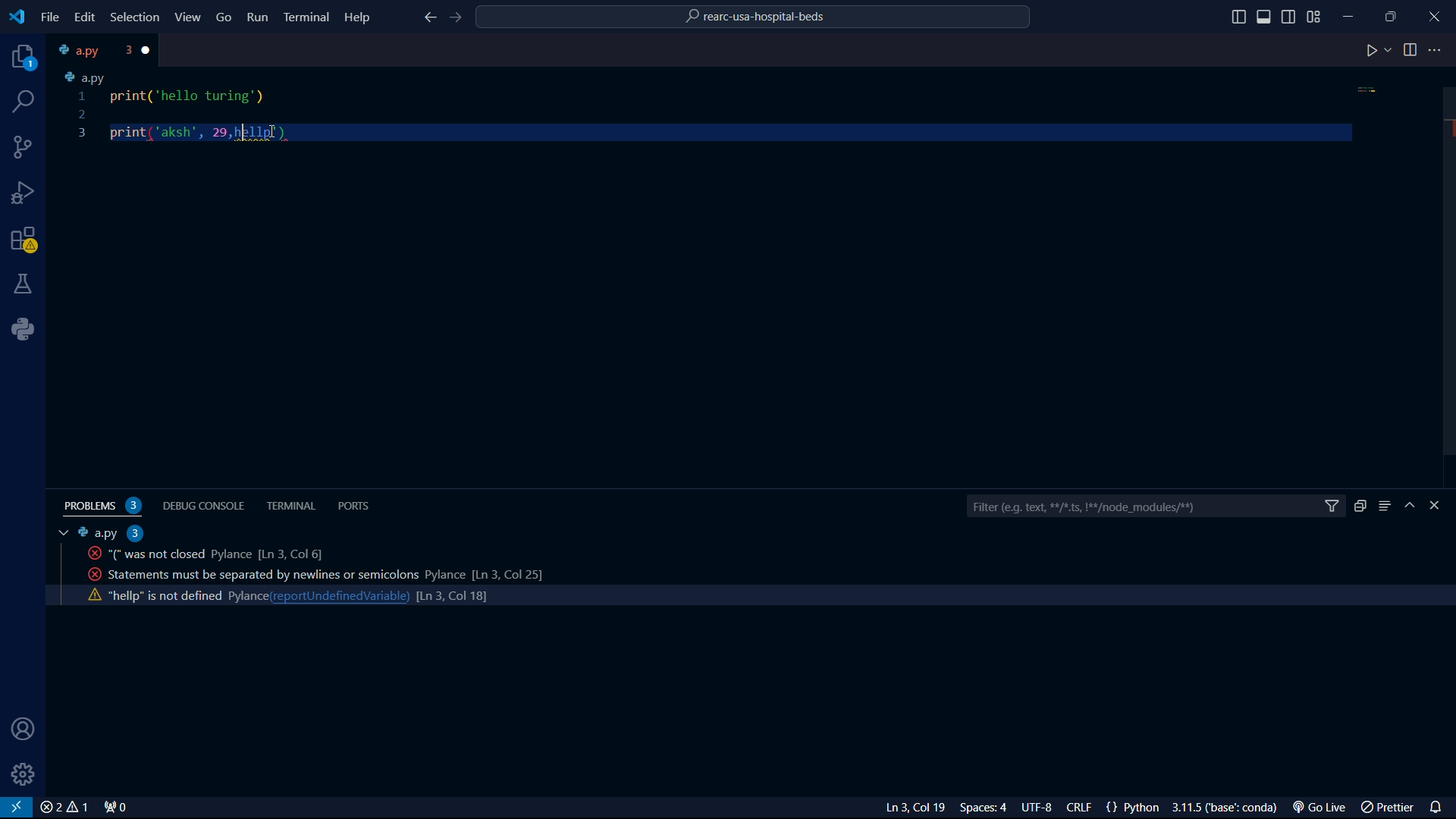 Image resolution: width=1456 pixels, height=819 pixels. I want to click on Go, so click(224, 16).